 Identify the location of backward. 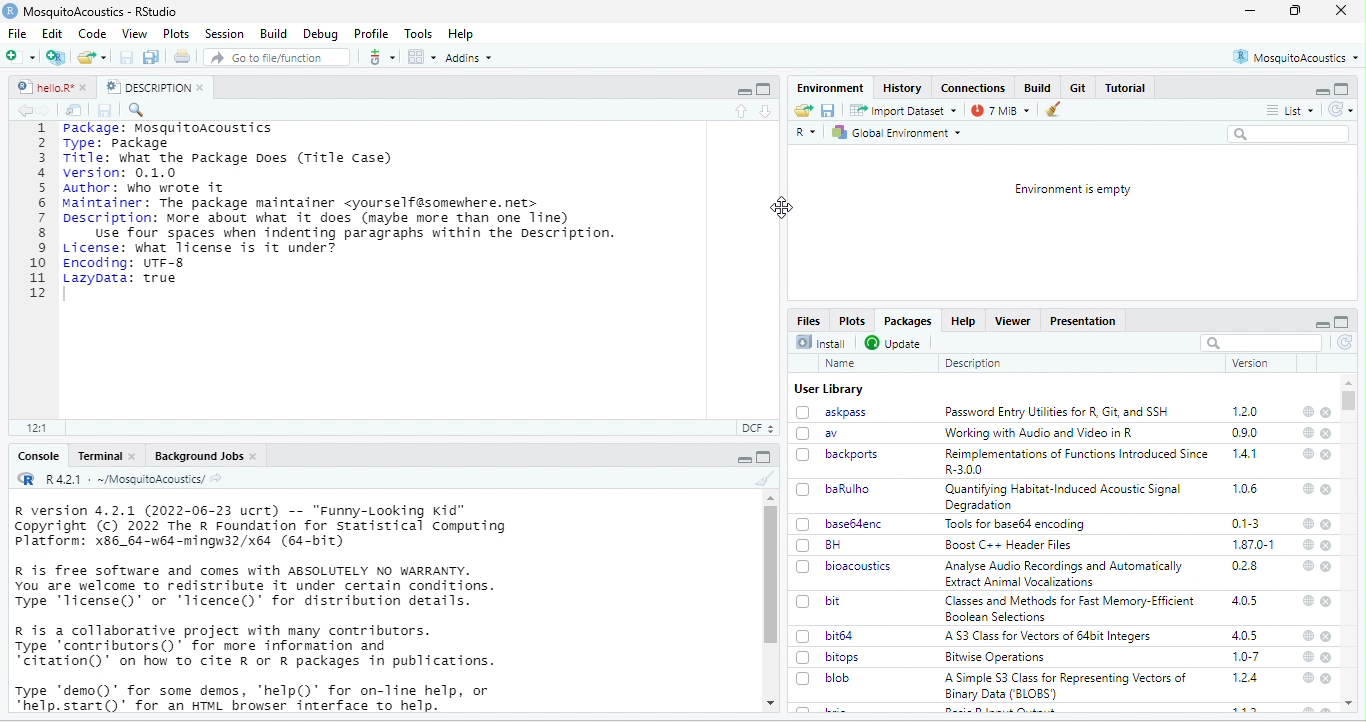
(21, 110).